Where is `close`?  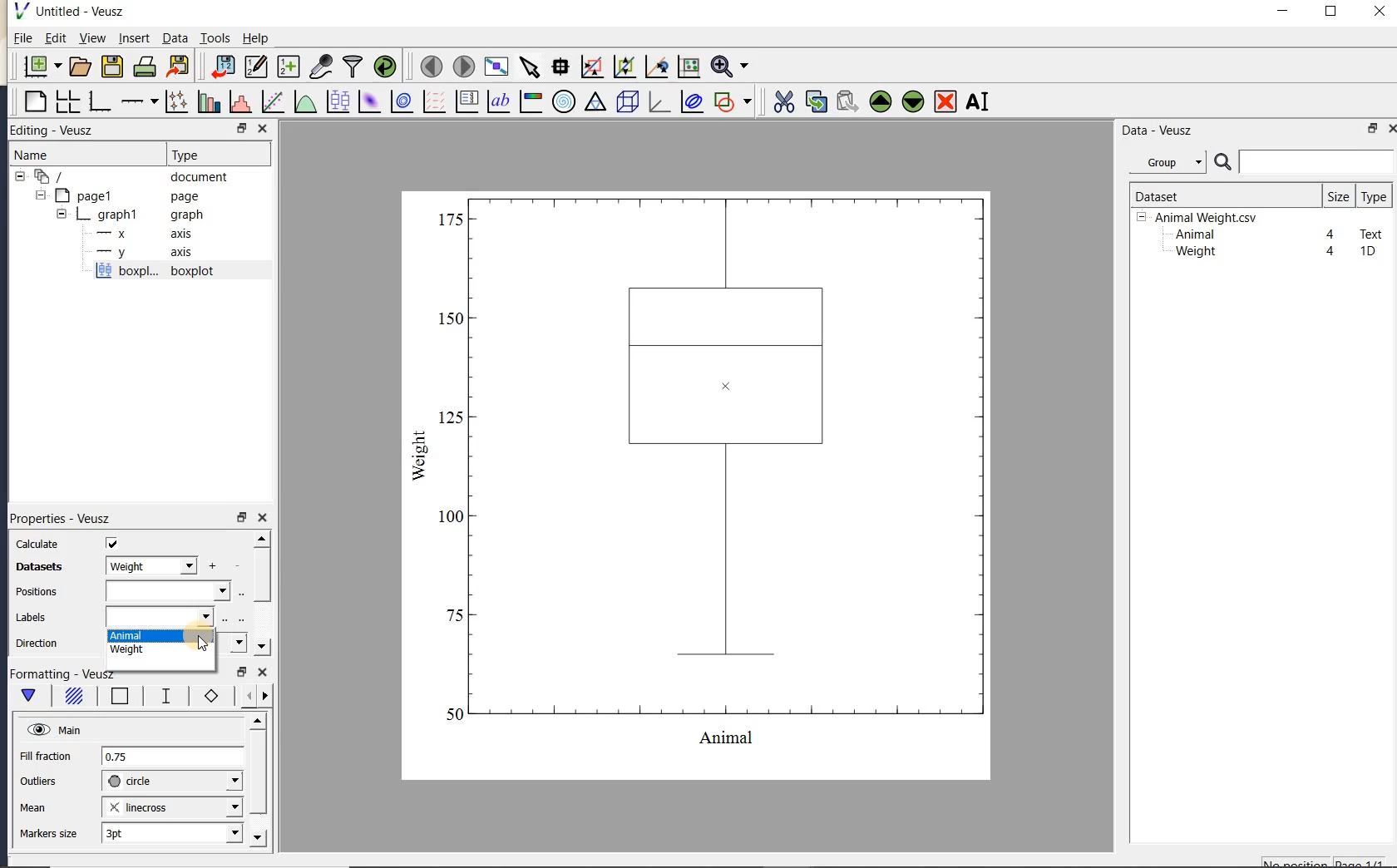
close is located at coordinates (1380, 12).